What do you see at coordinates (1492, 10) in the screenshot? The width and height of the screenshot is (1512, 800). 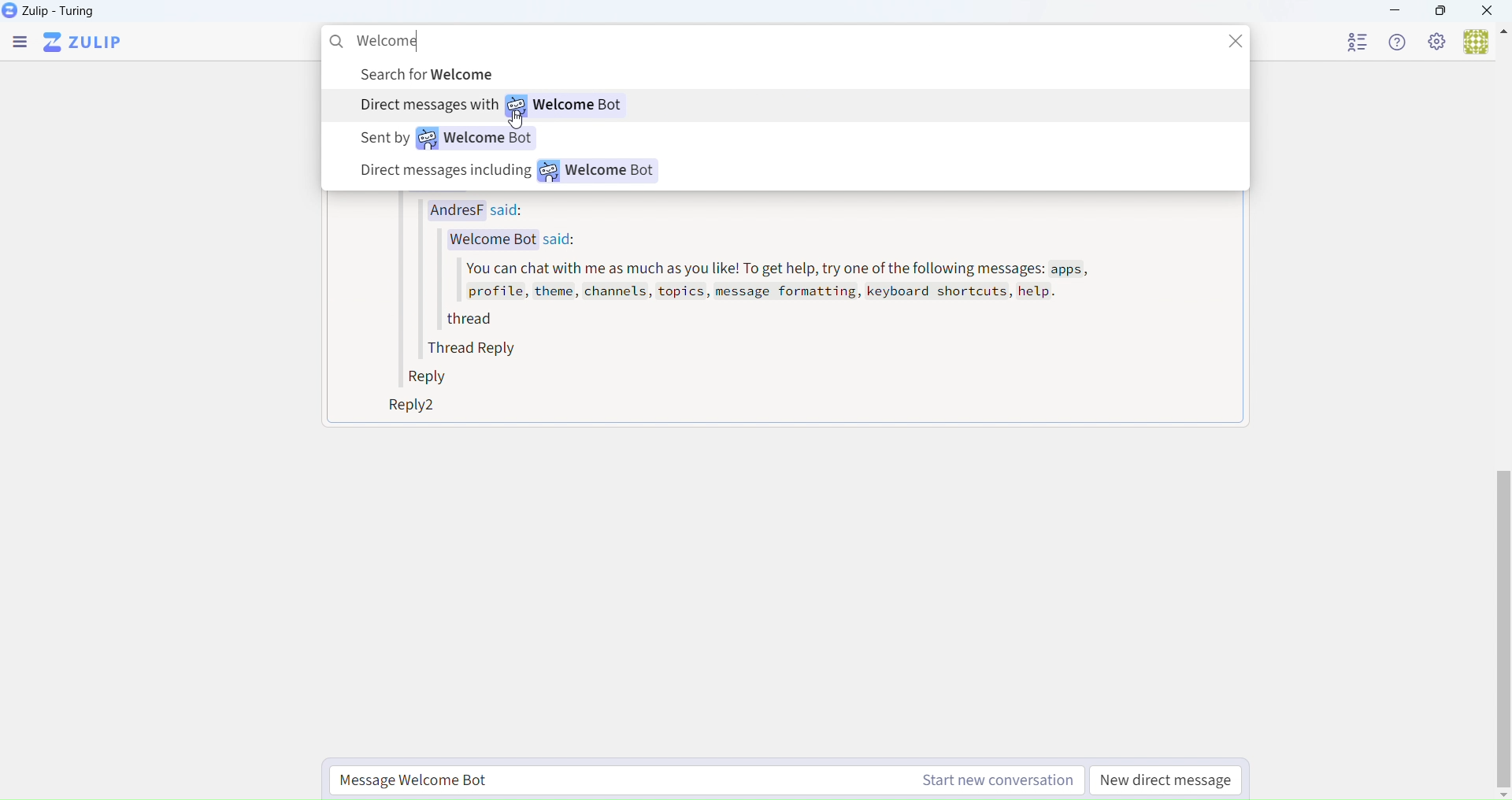 I see `Close` at bounding box center [1492, 10].